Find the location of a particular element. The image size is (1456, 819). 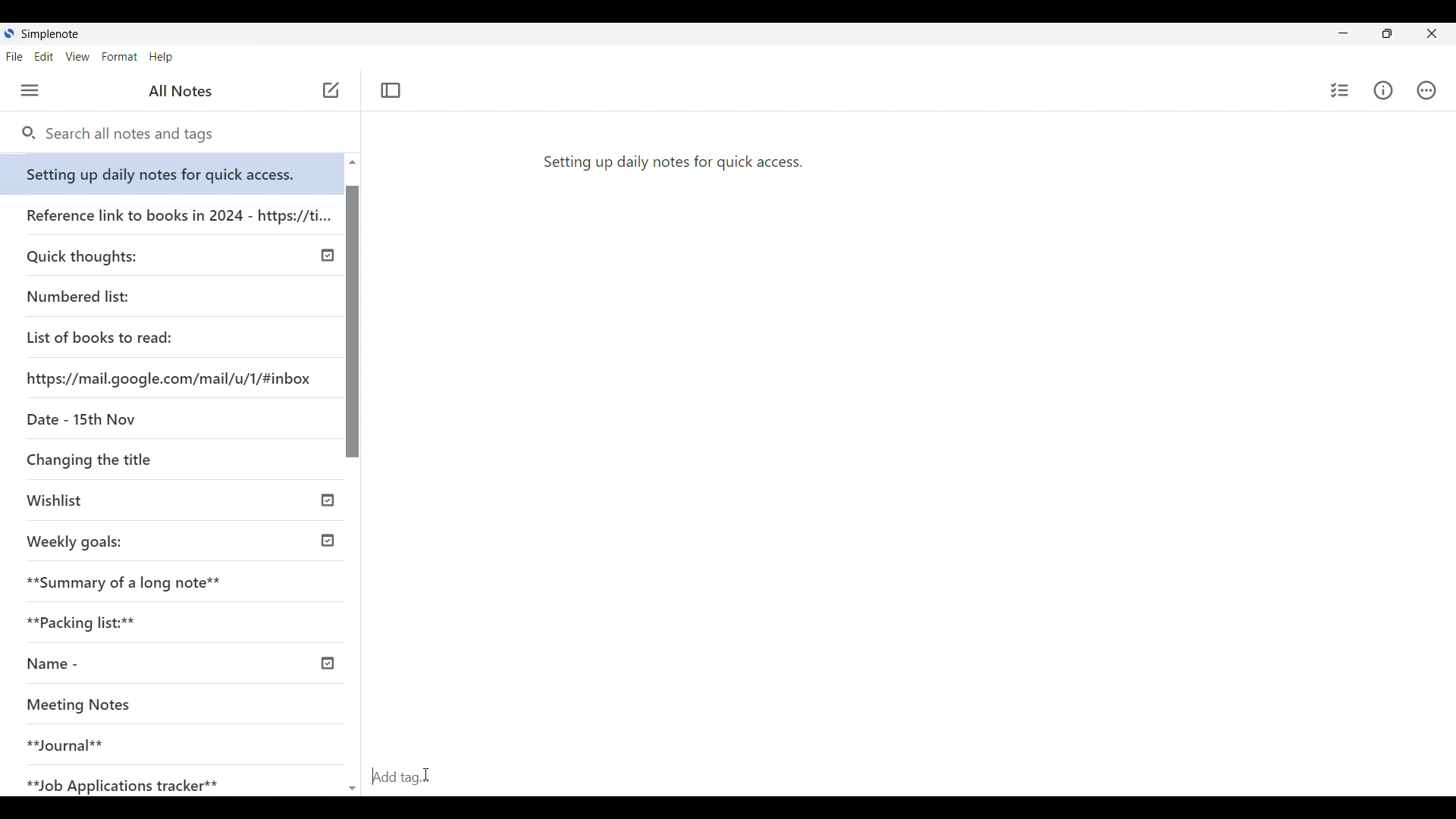

Packing lists is located at coordinates (179, 620).